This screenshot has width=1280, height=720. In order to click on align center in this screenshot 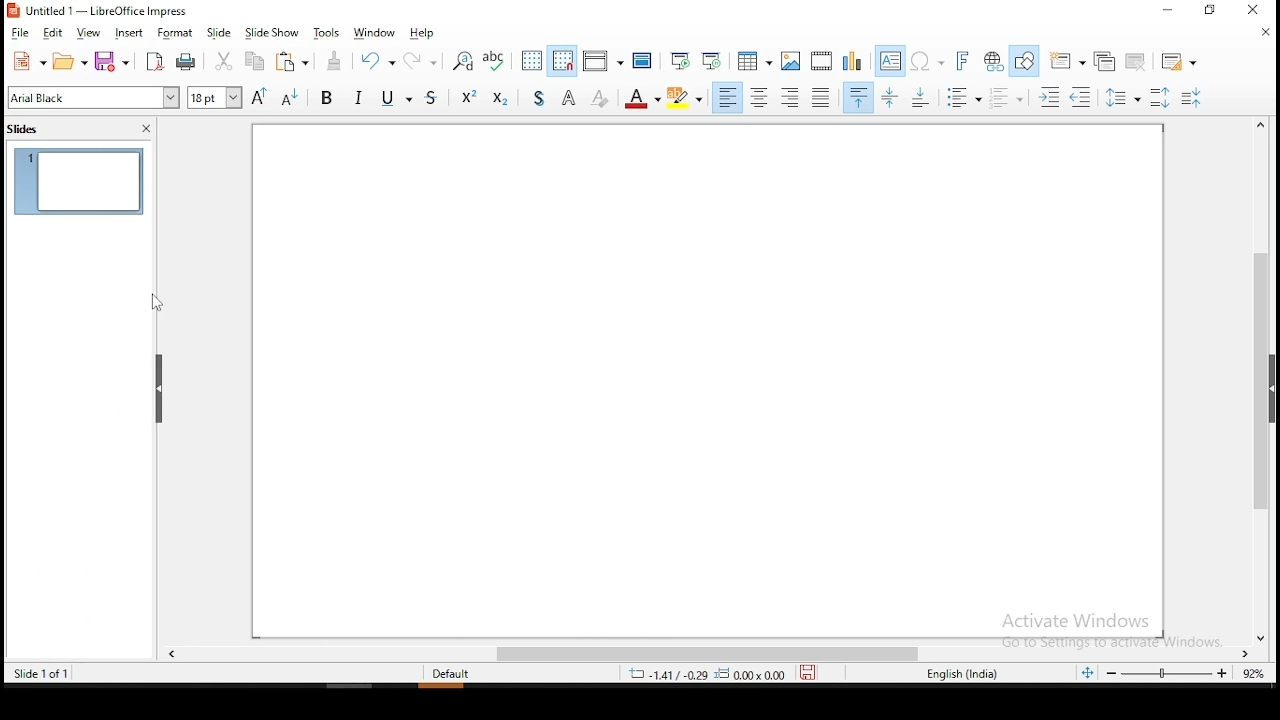, I will do `click(760, 98)`.